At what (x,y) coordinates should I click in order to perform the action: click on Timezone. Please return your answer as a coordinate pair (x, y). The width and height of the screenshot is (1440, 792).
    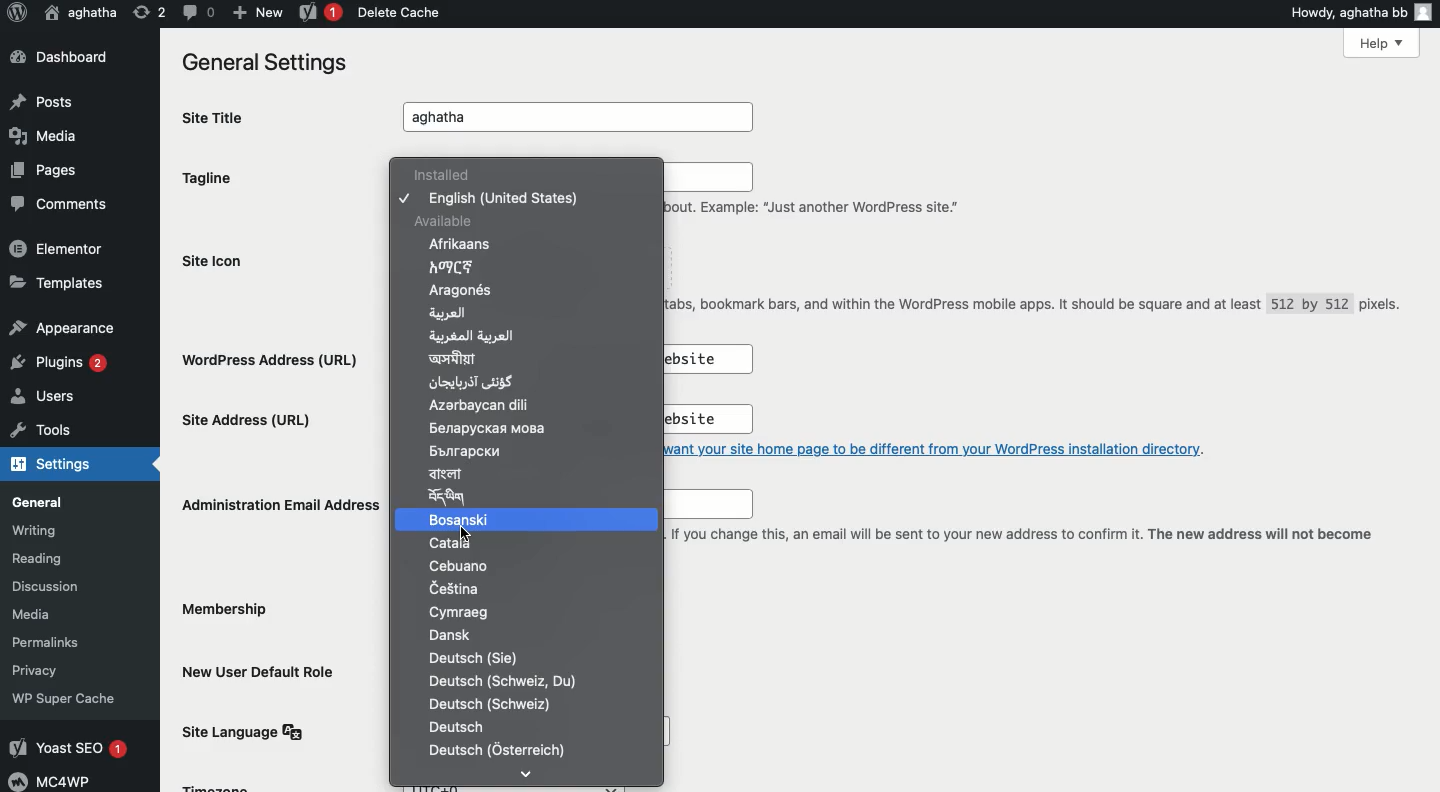
    Looking at the image, I should click on (218, 786).